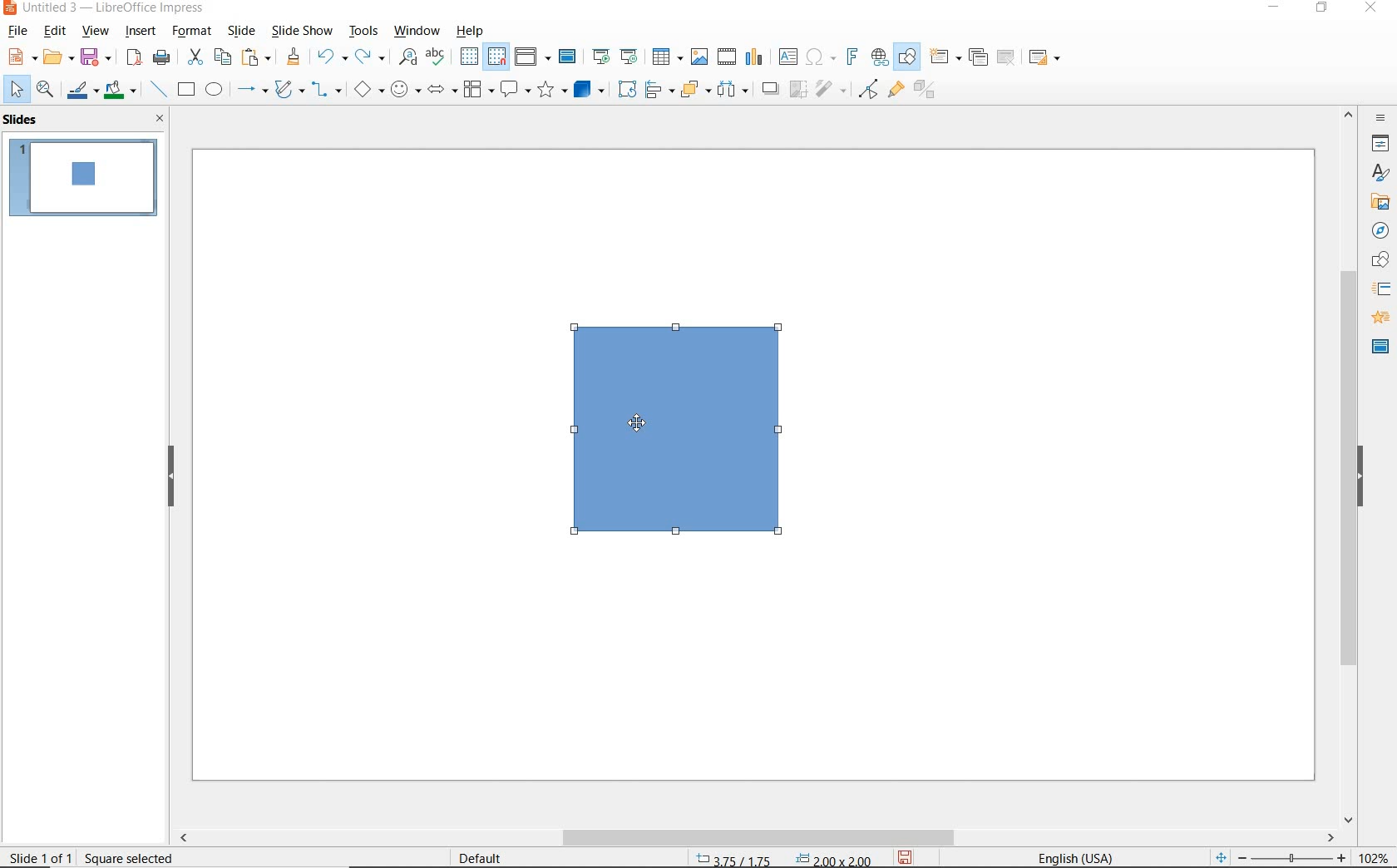 This screenshot has height=868, width=1397. What do you see at coordinates (757, 57) in the screenshot?
I see `insert chart` at bounding box center [757, 57].